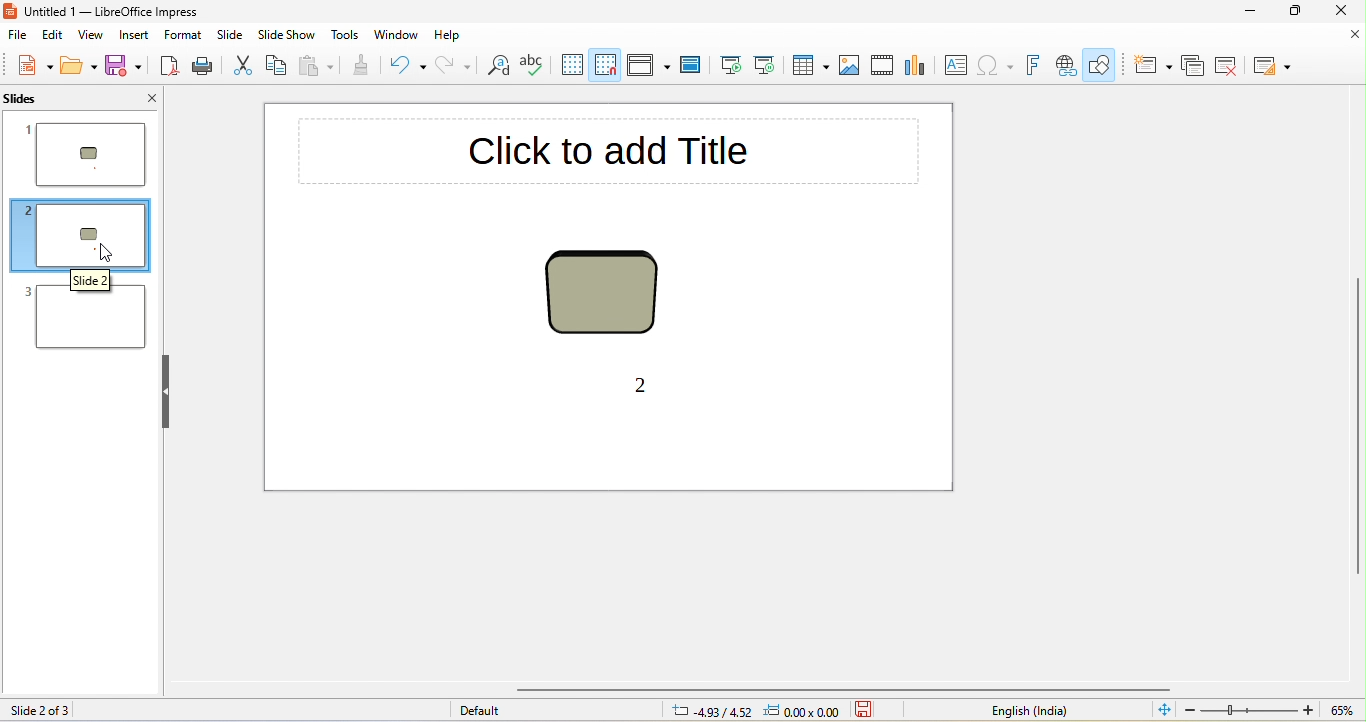  I want to click on video, so click(882, 67).